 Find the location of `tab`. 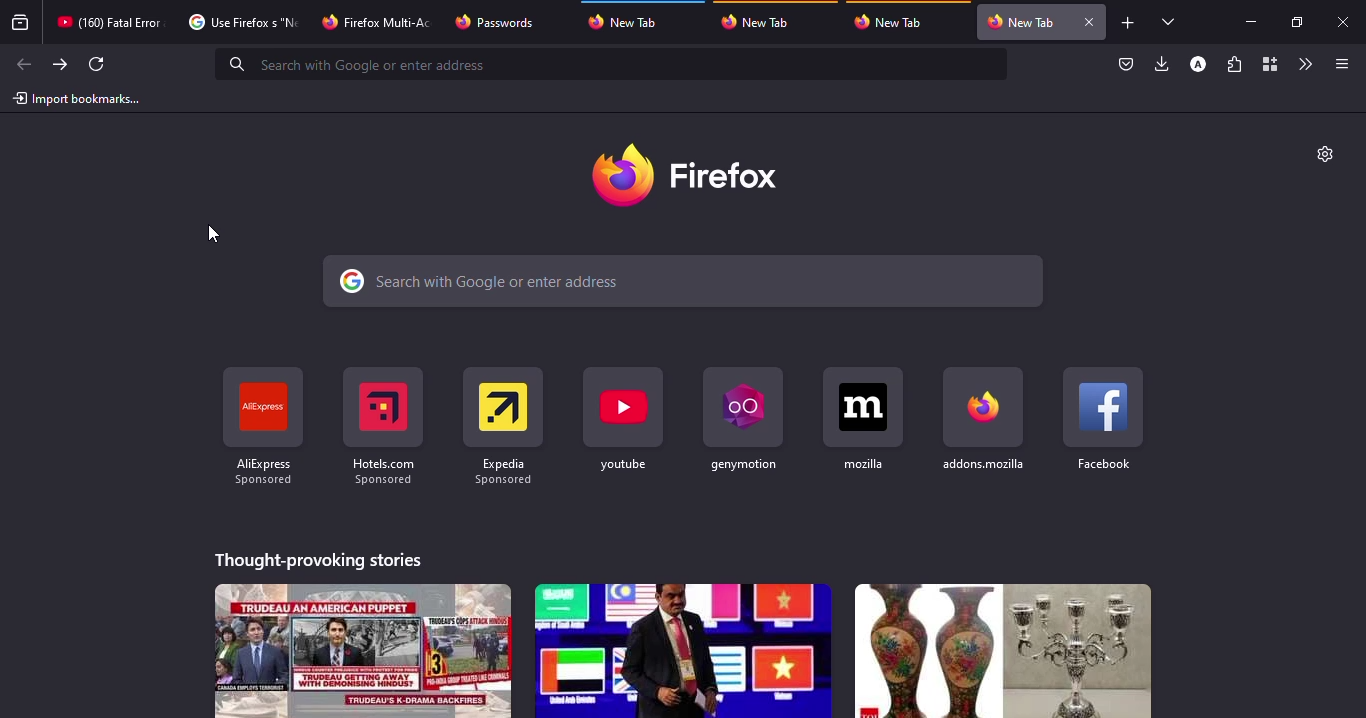

tab is located at coordinates (375, 22).